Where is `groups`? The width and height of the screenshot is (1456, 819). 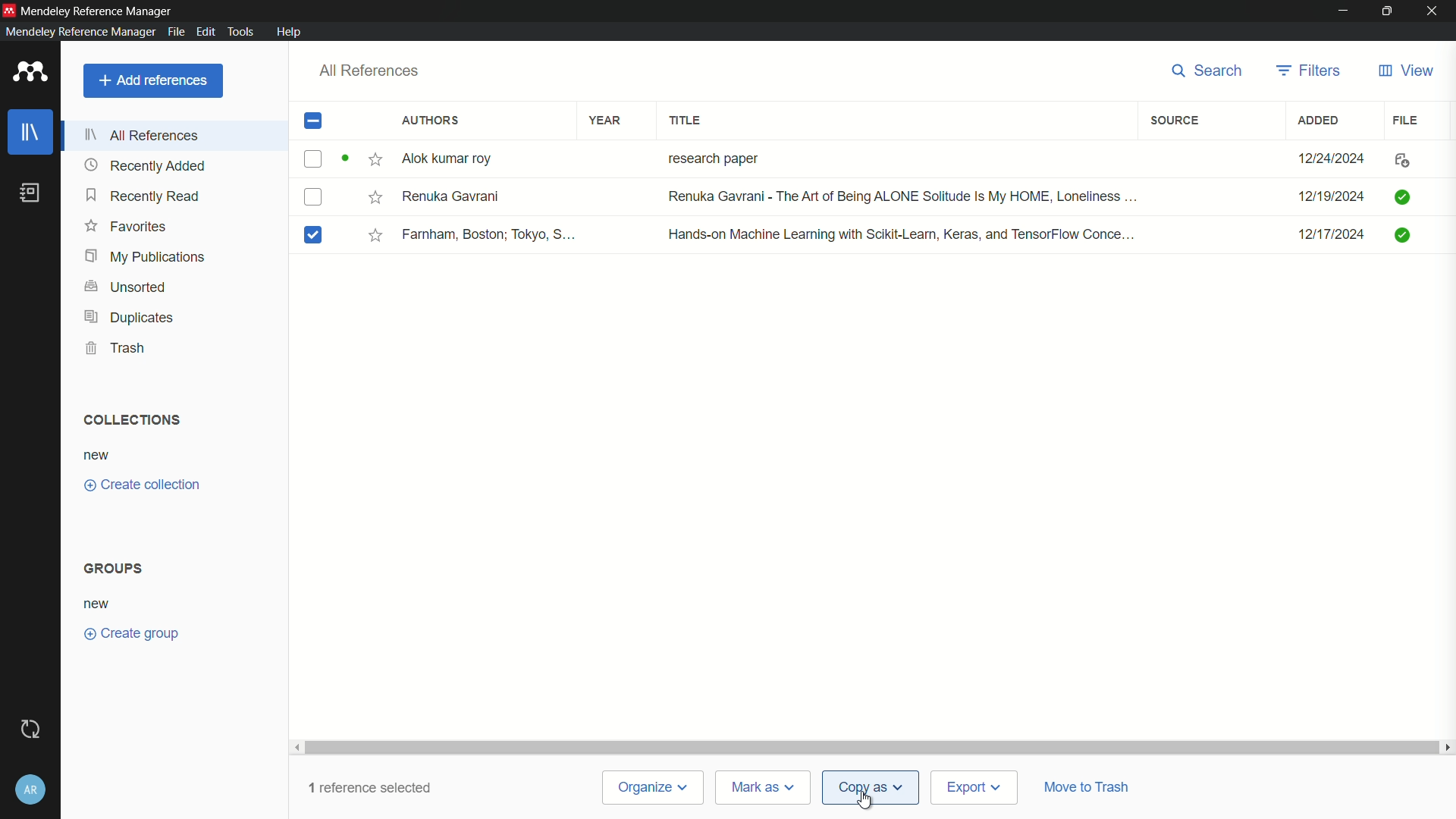
groups is located at coordinates (115, 568).